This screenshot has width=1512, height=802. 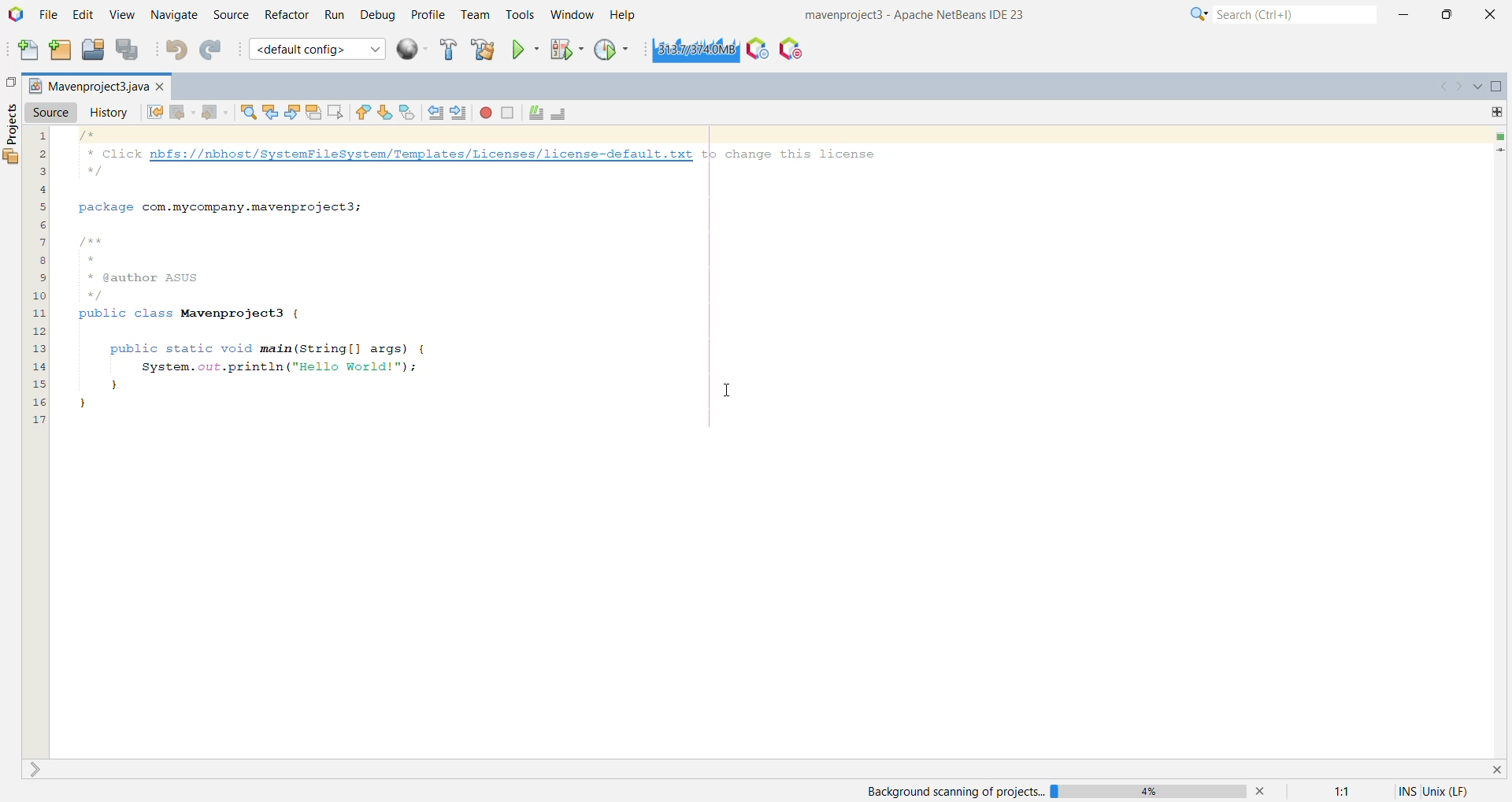 I want to click on Source, so click(x=51, y=113).